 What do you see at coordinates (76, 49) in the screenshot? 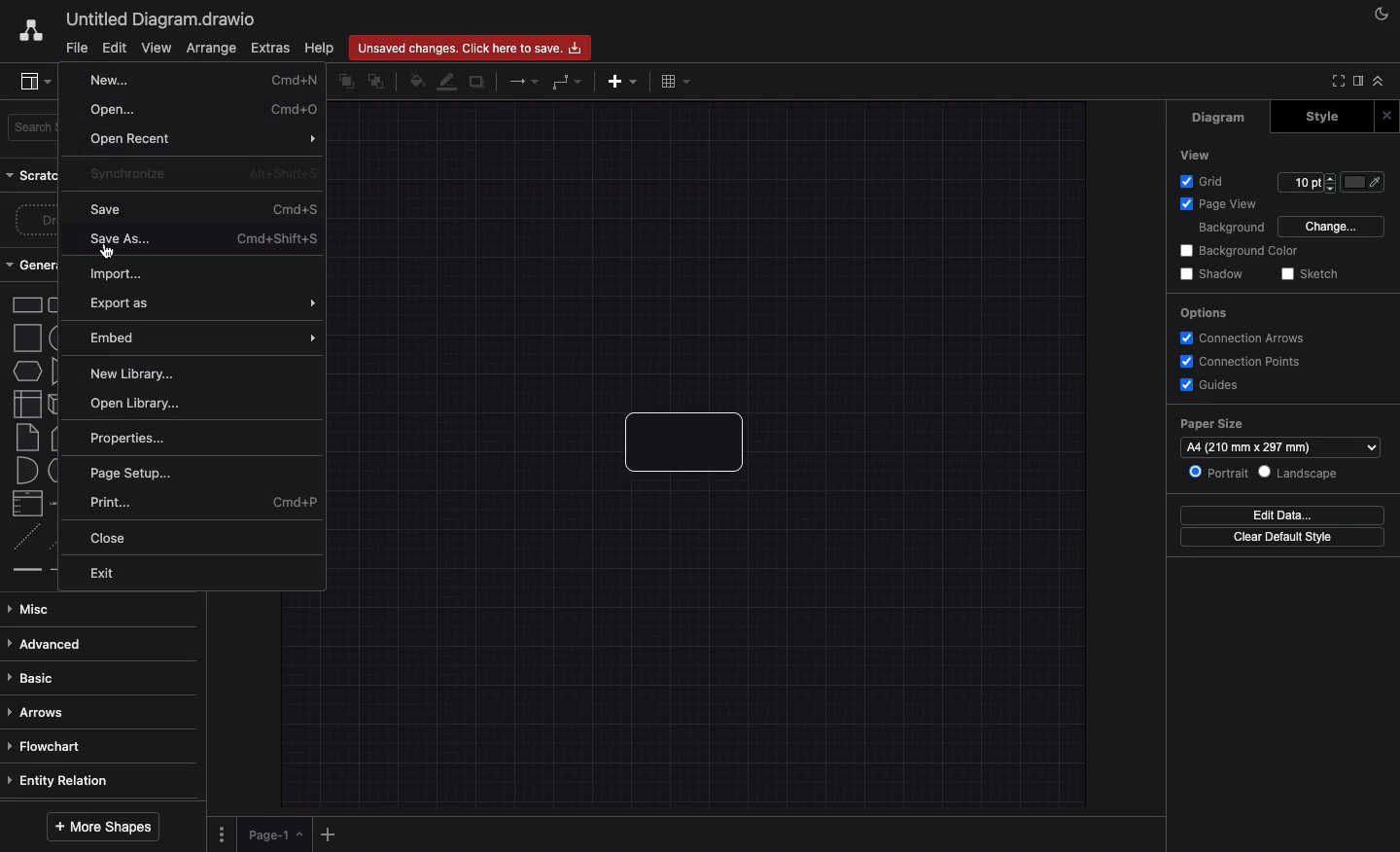
I see `File` at bounding box center [76, 49].